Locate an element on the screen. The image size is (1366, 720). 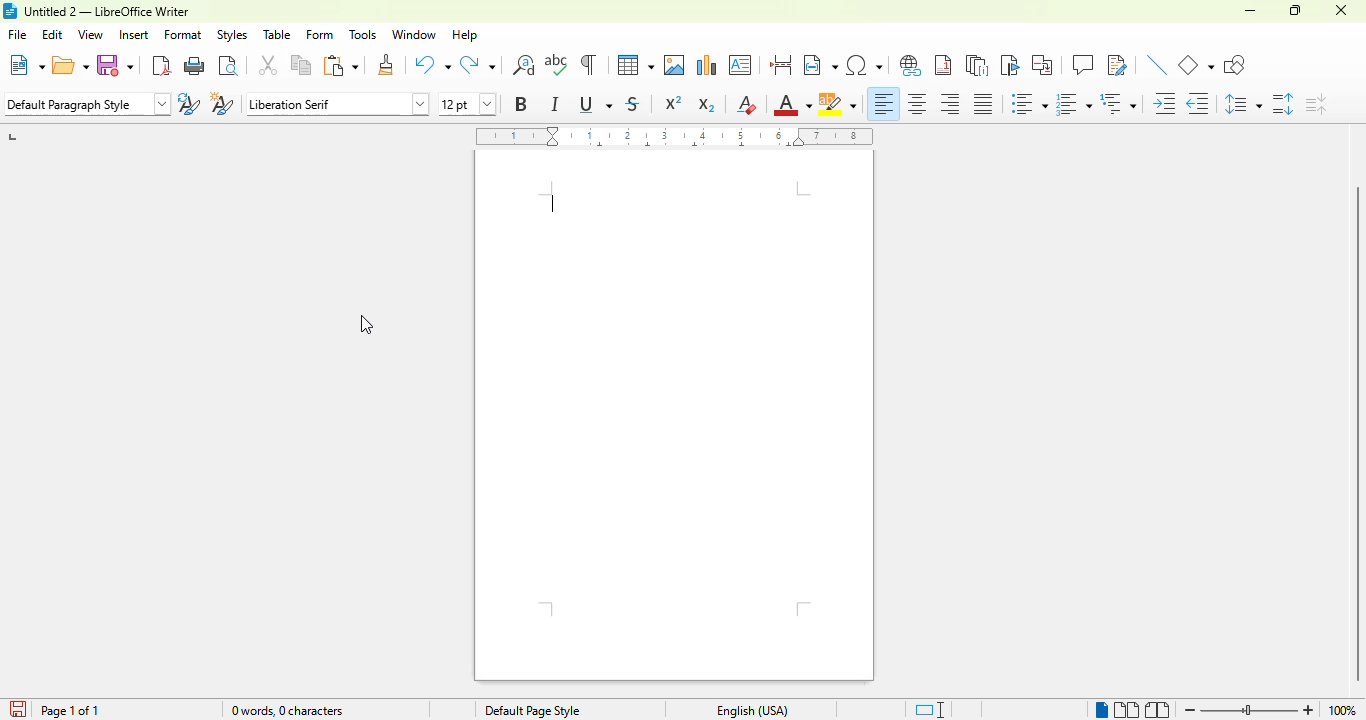
align right is located at coordinates (951, 104).